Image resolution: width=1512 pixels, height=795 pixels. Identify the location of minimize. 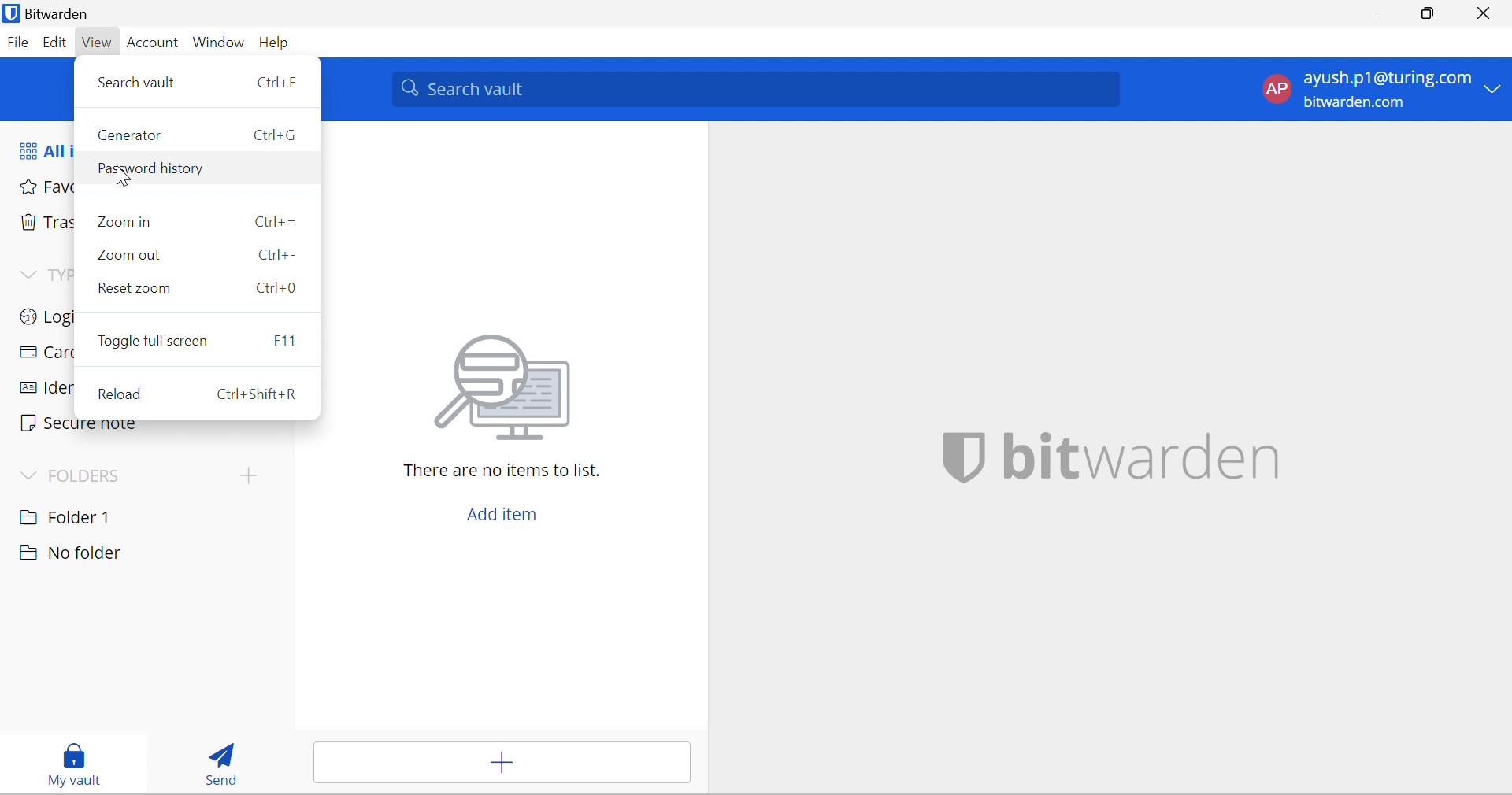
(1376, 14).